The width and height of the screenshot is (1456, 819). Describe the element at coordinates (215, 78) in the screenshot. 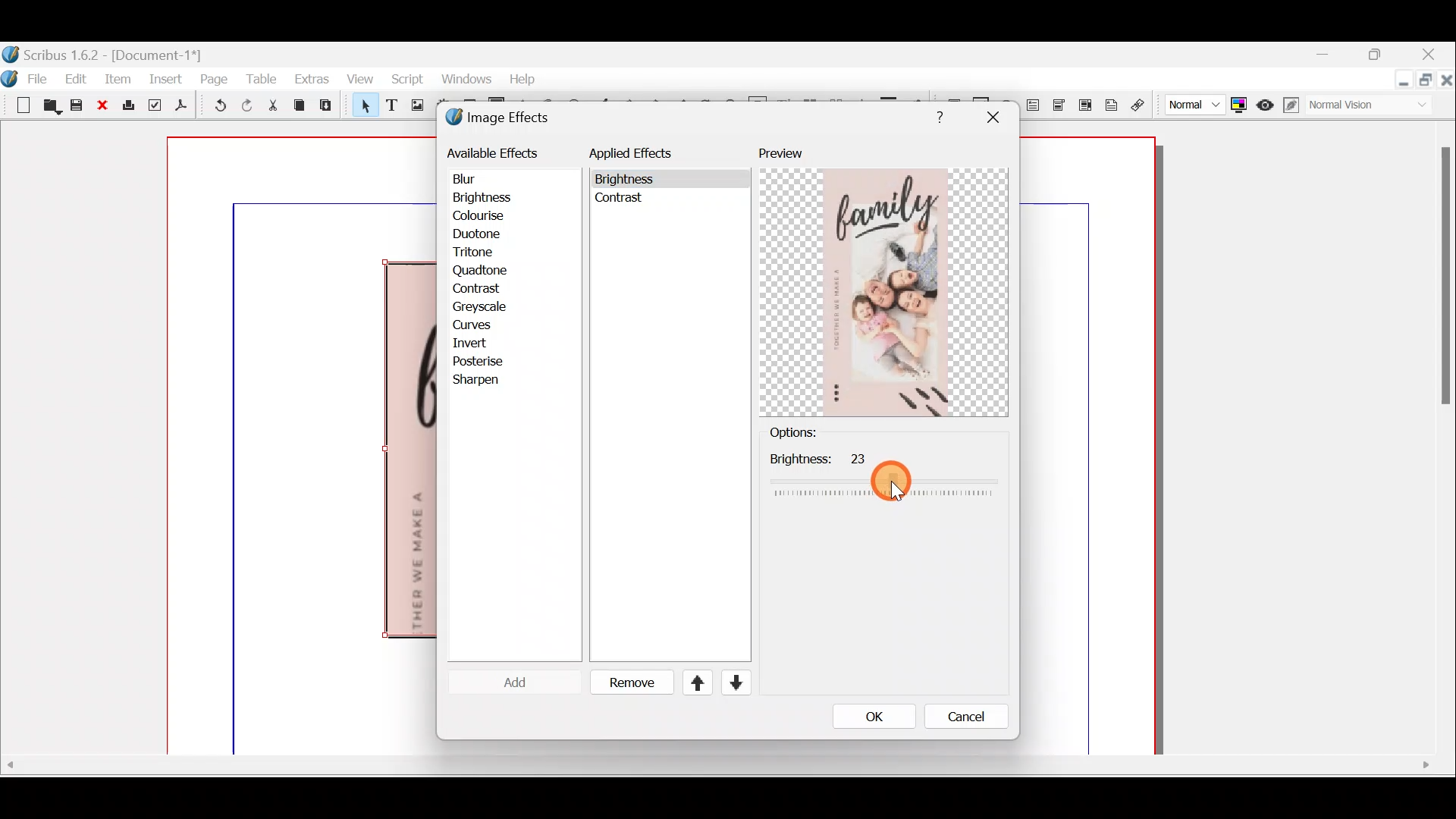

I see `Page` at that location.